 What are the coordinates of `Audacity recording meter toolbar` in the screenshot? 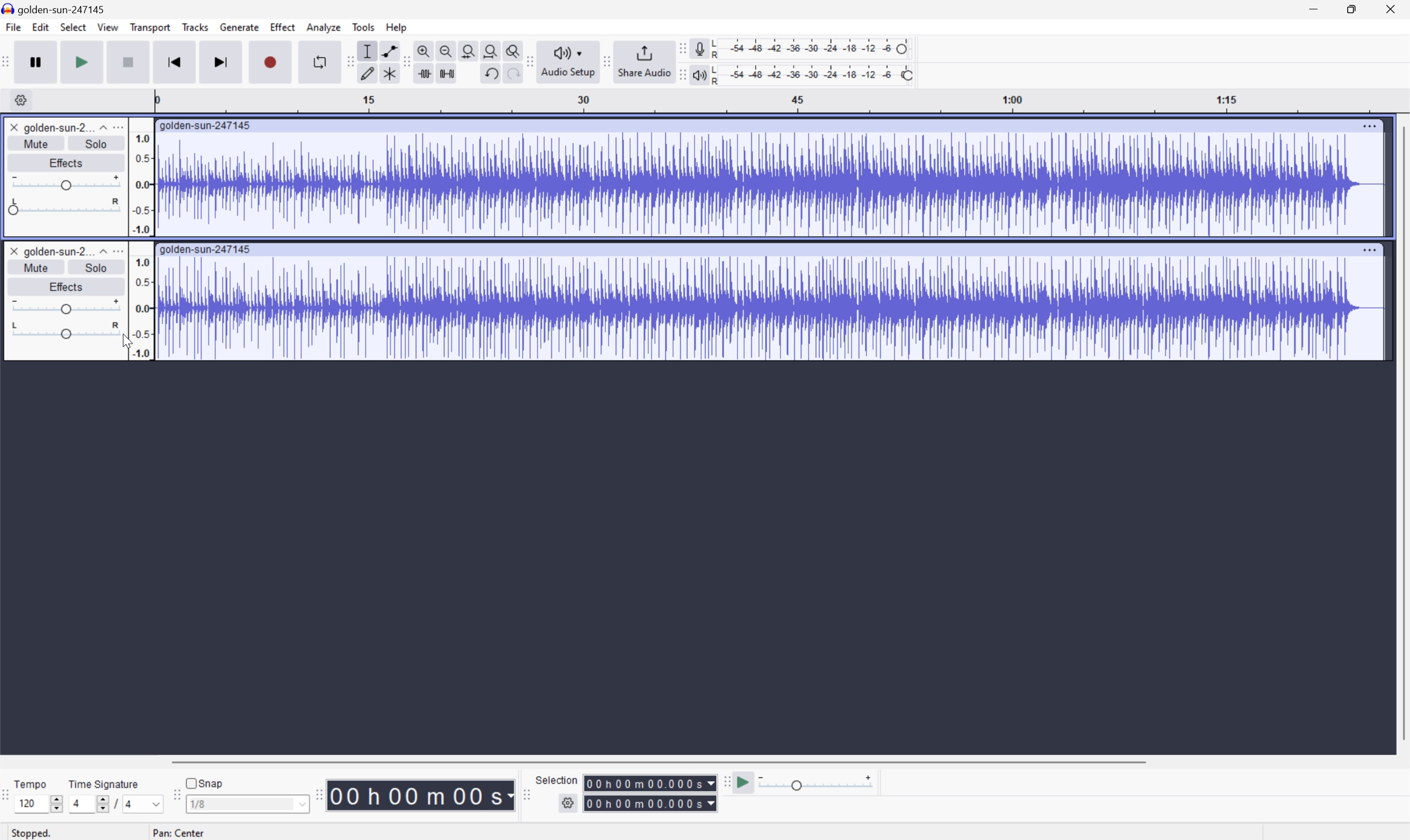 It's located at (678, 47).